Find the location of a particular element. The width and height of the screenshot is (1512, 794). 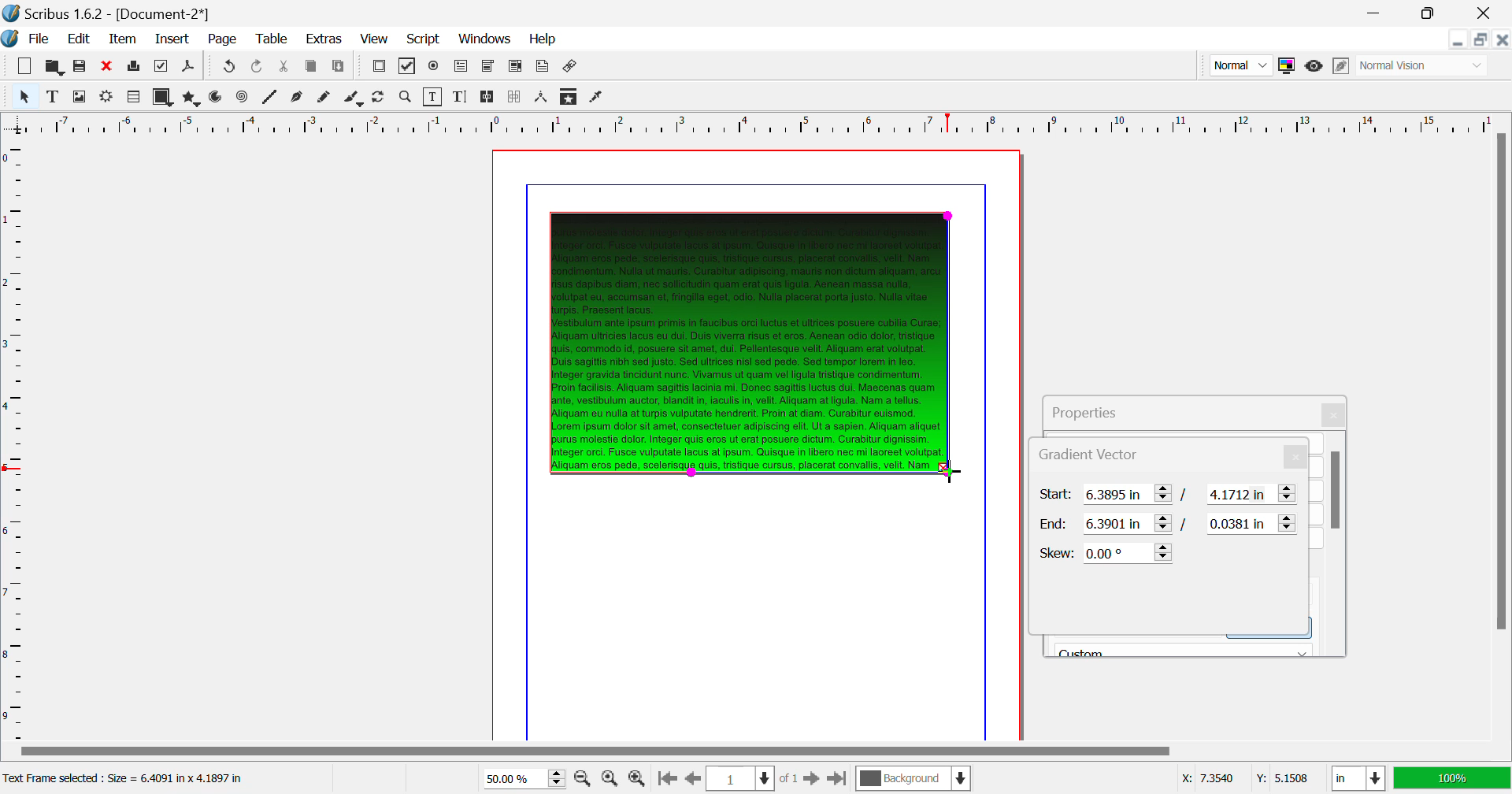

Cursor Coordinates is located at coordinates (1244, 779).